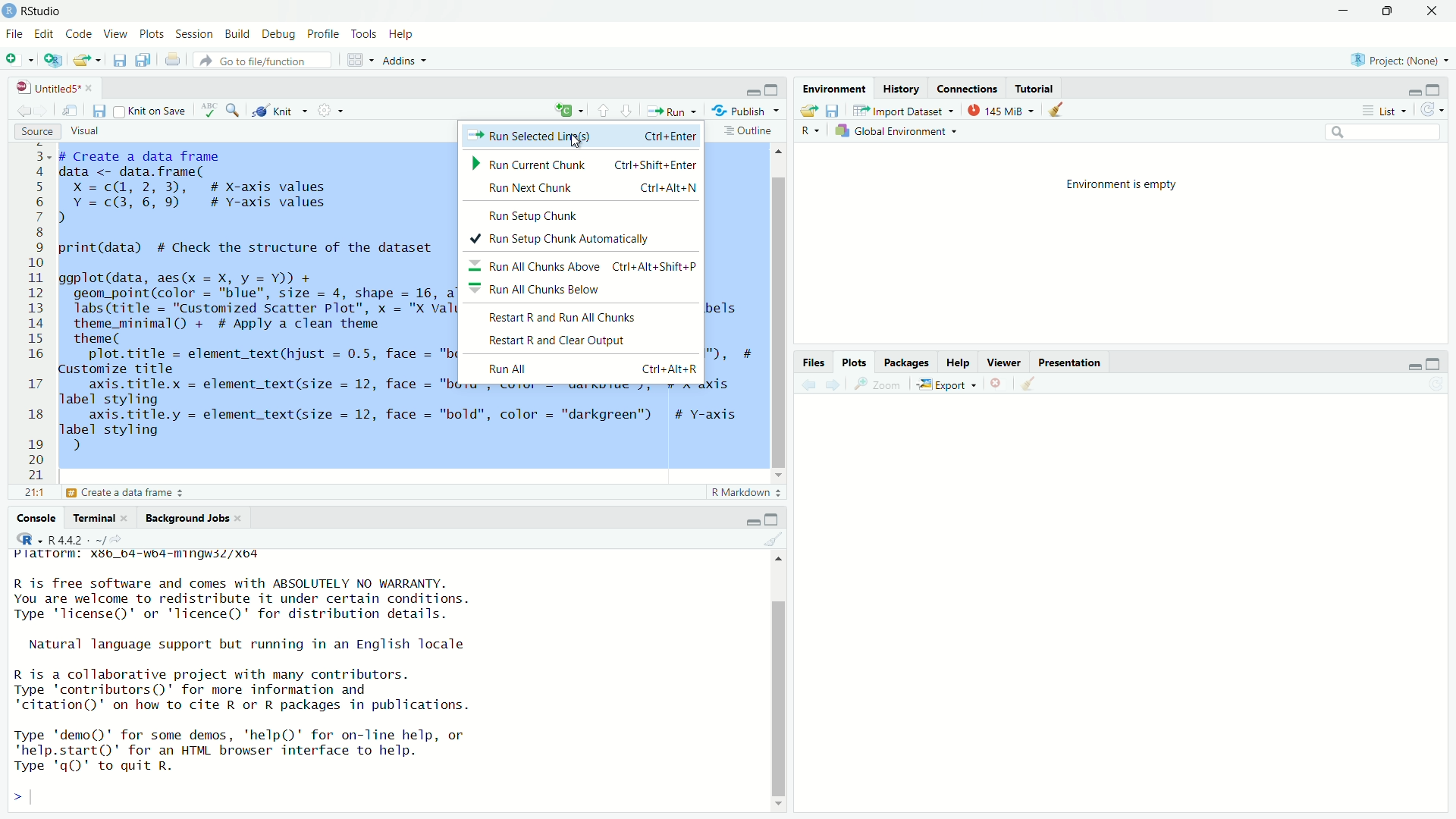 This screenshot has width=1456, height=819. What do you see at coordinates (942, 384) in the screenshot?
I see `Export ` at bounding box center [942, 384].